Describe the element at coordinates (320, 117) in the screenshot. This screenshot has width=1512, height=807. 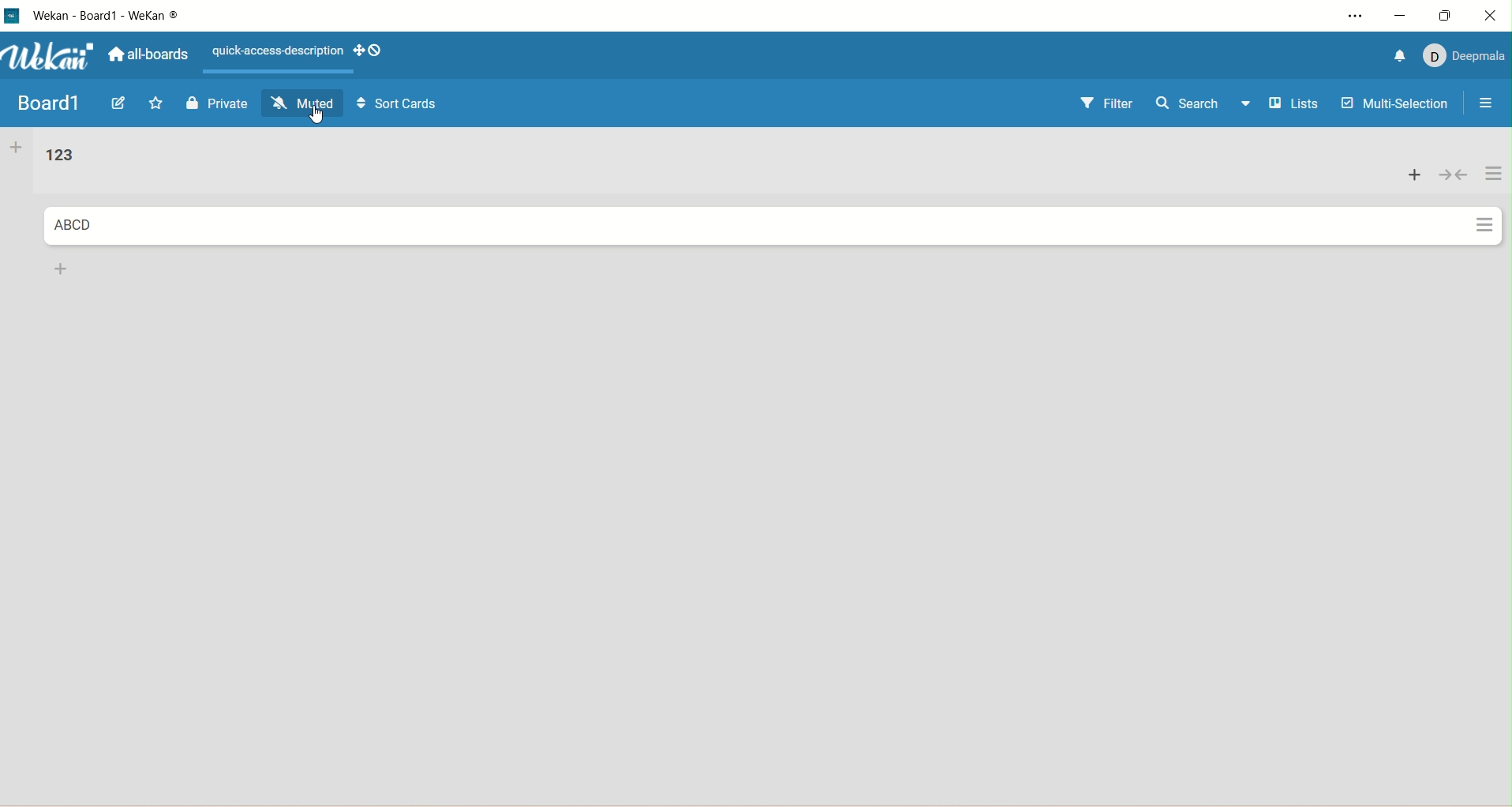
I see `cursor` at that location.